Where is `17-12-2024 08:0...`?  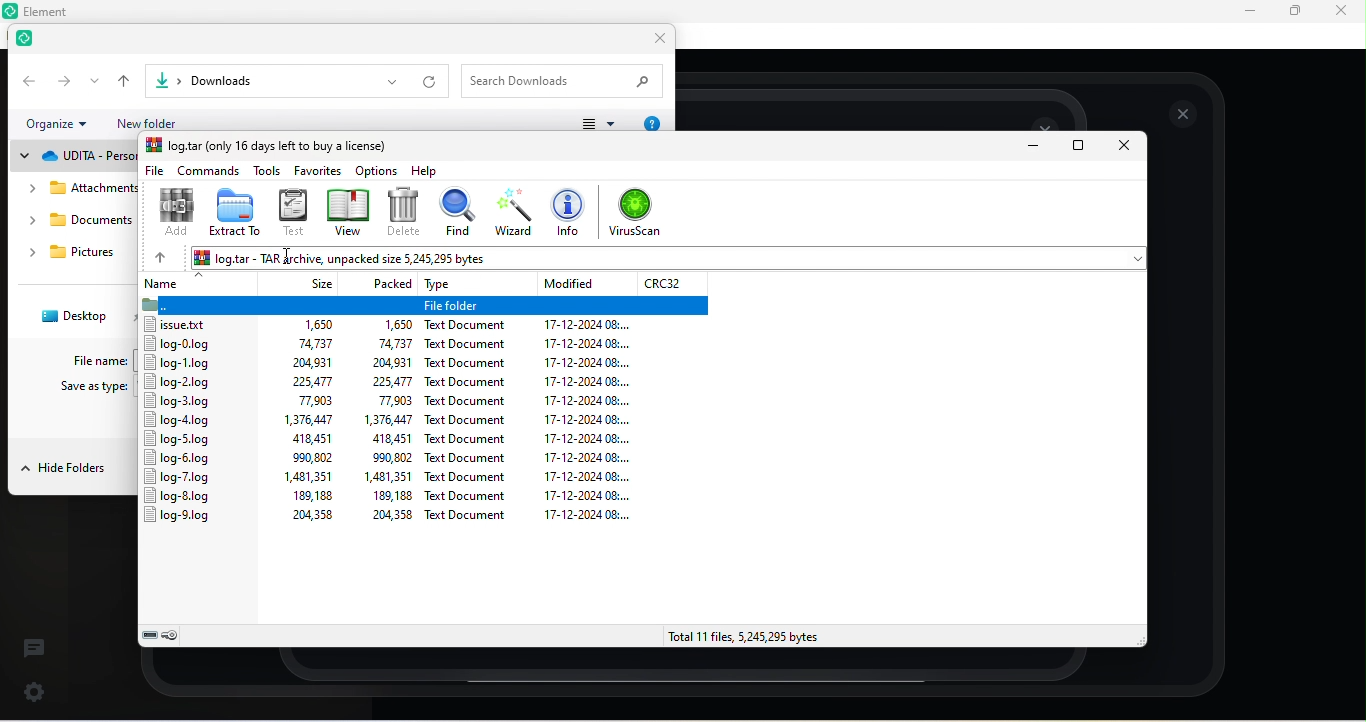 17-12-2024 08:0... is located at coordinates (588, 401).